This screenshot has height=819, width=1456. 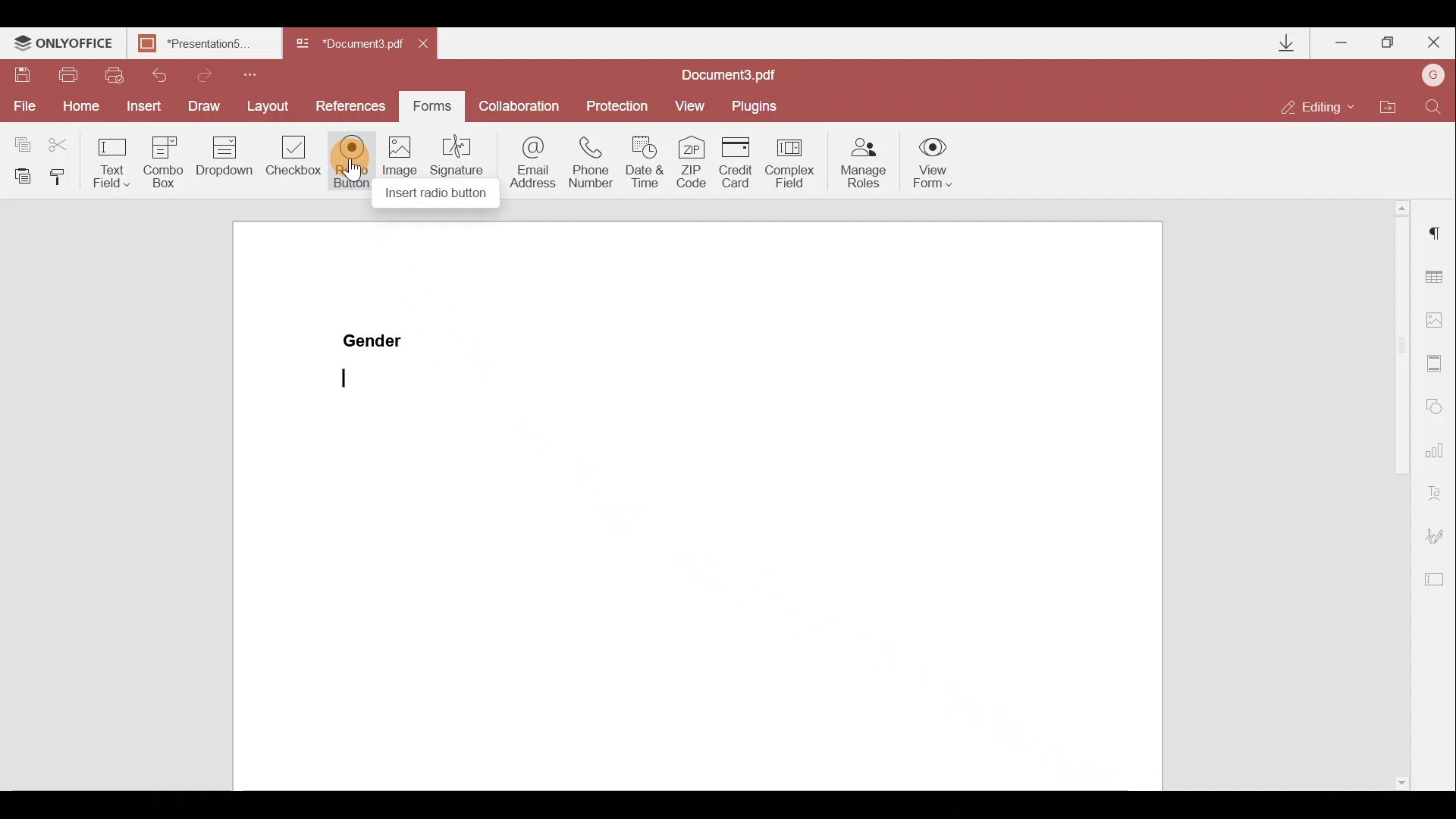 I want to click on Redo, so click(x=218, y=75).